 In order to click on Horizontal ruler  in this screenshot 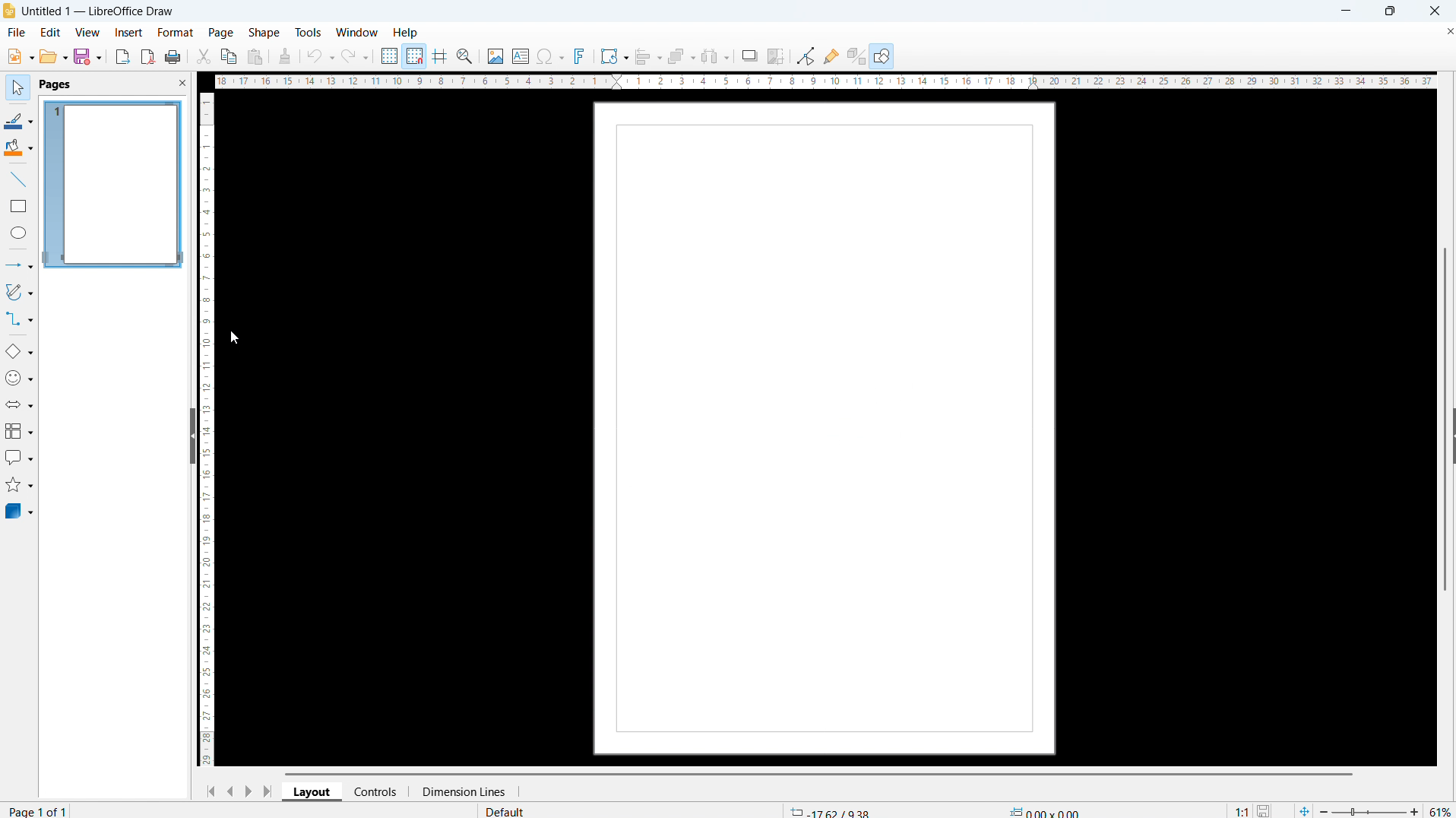, I will do `click(824, 81)`.